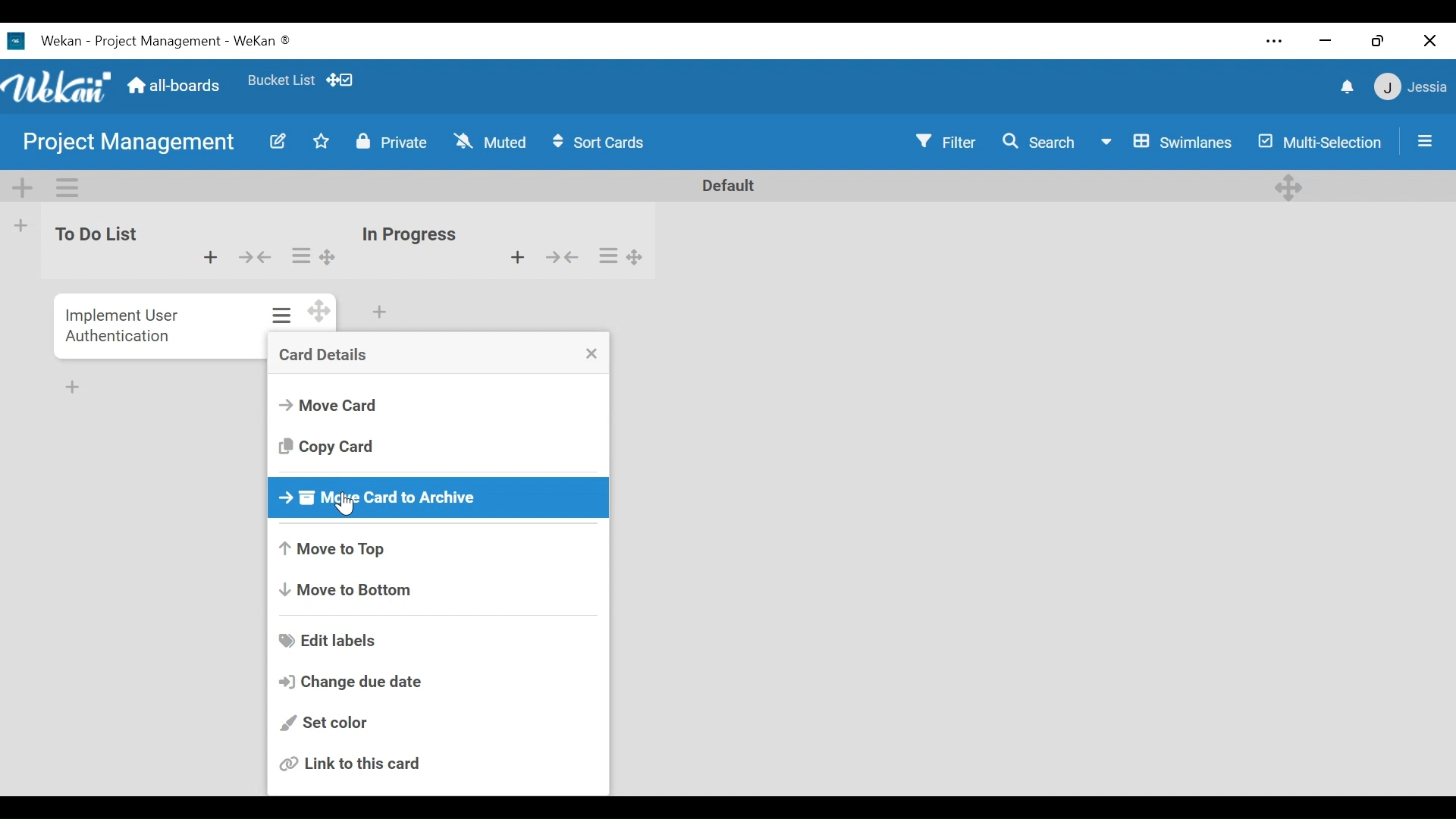 The height and width of the screenshot is (819, 1456). Describe the element at coordinates (129, 141) in the screenshot. I see `Board Name` at that location.